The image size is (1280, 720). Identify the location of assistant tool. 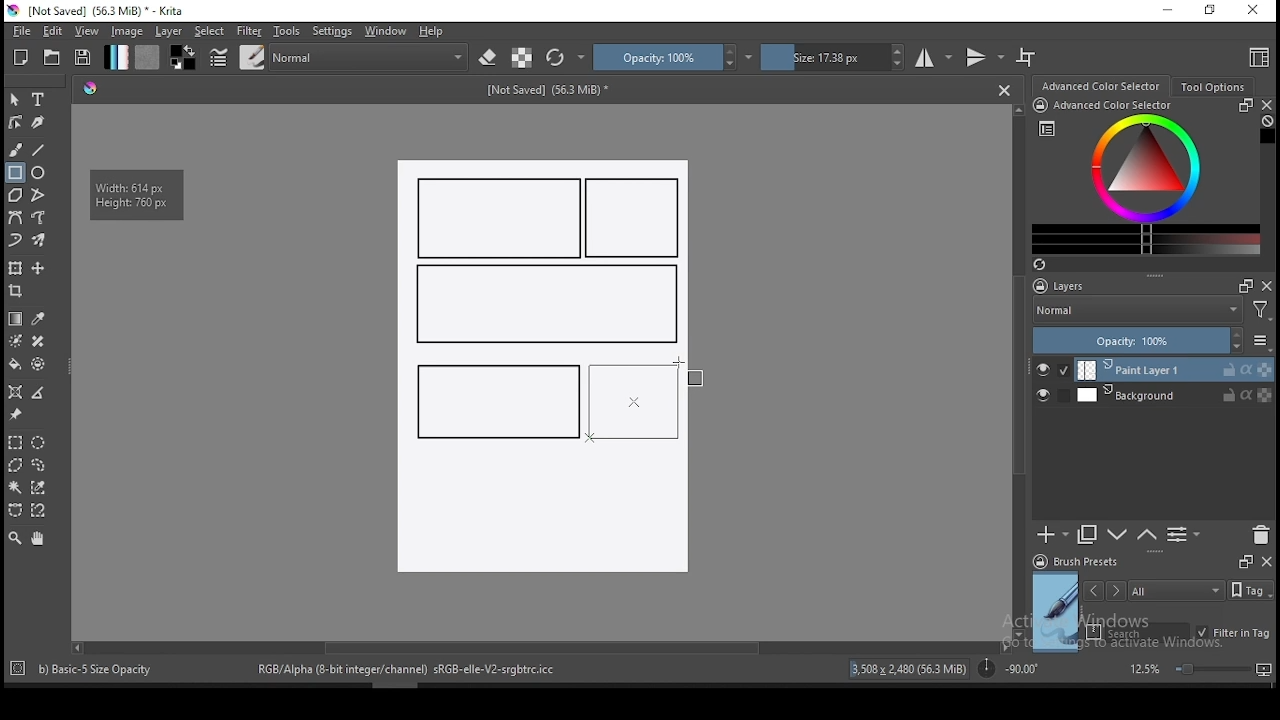
(15, 392).